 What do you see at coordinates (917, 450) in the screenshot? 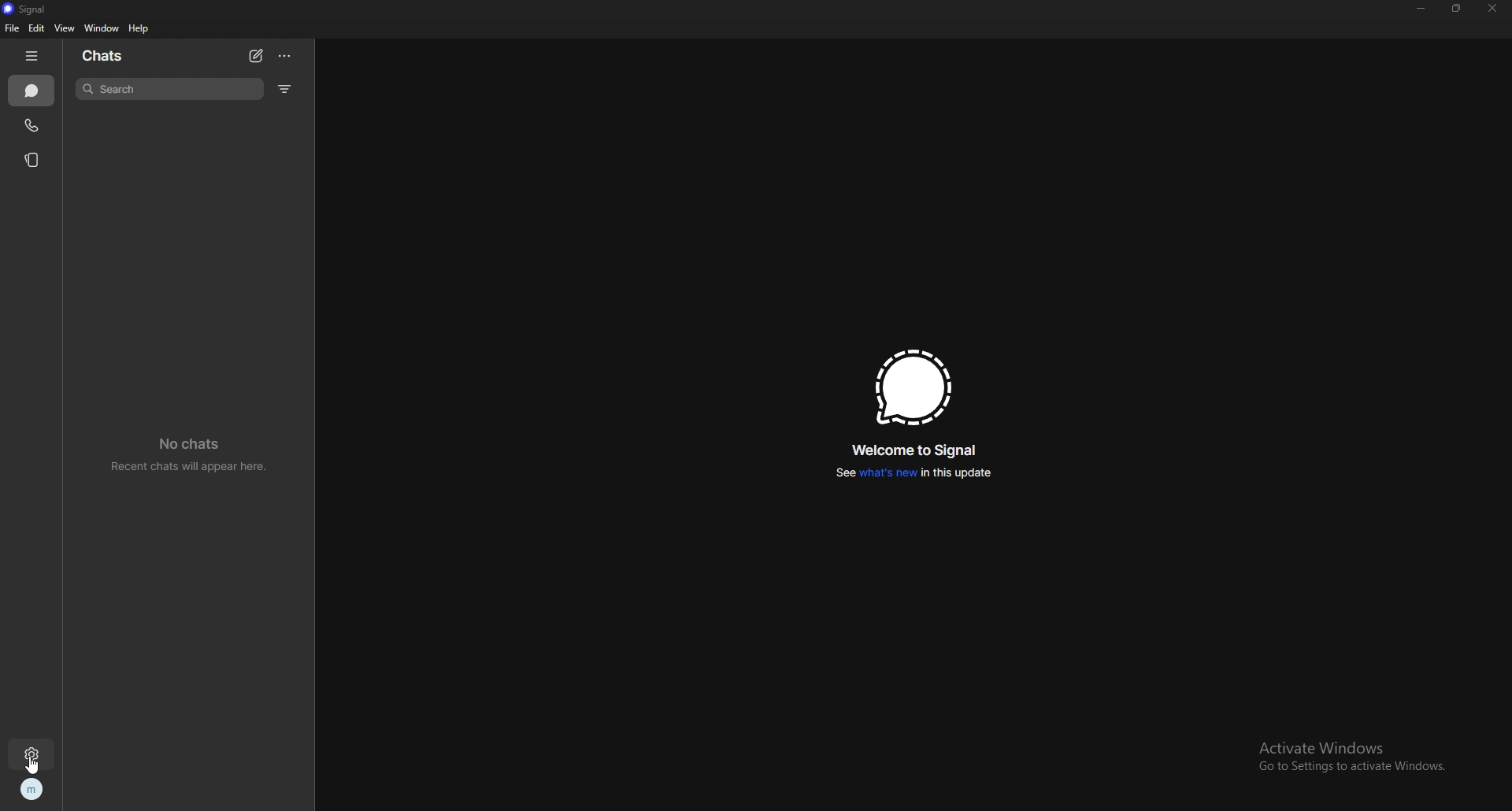
I see `welcome to signal` at bounding box center [917, 450].